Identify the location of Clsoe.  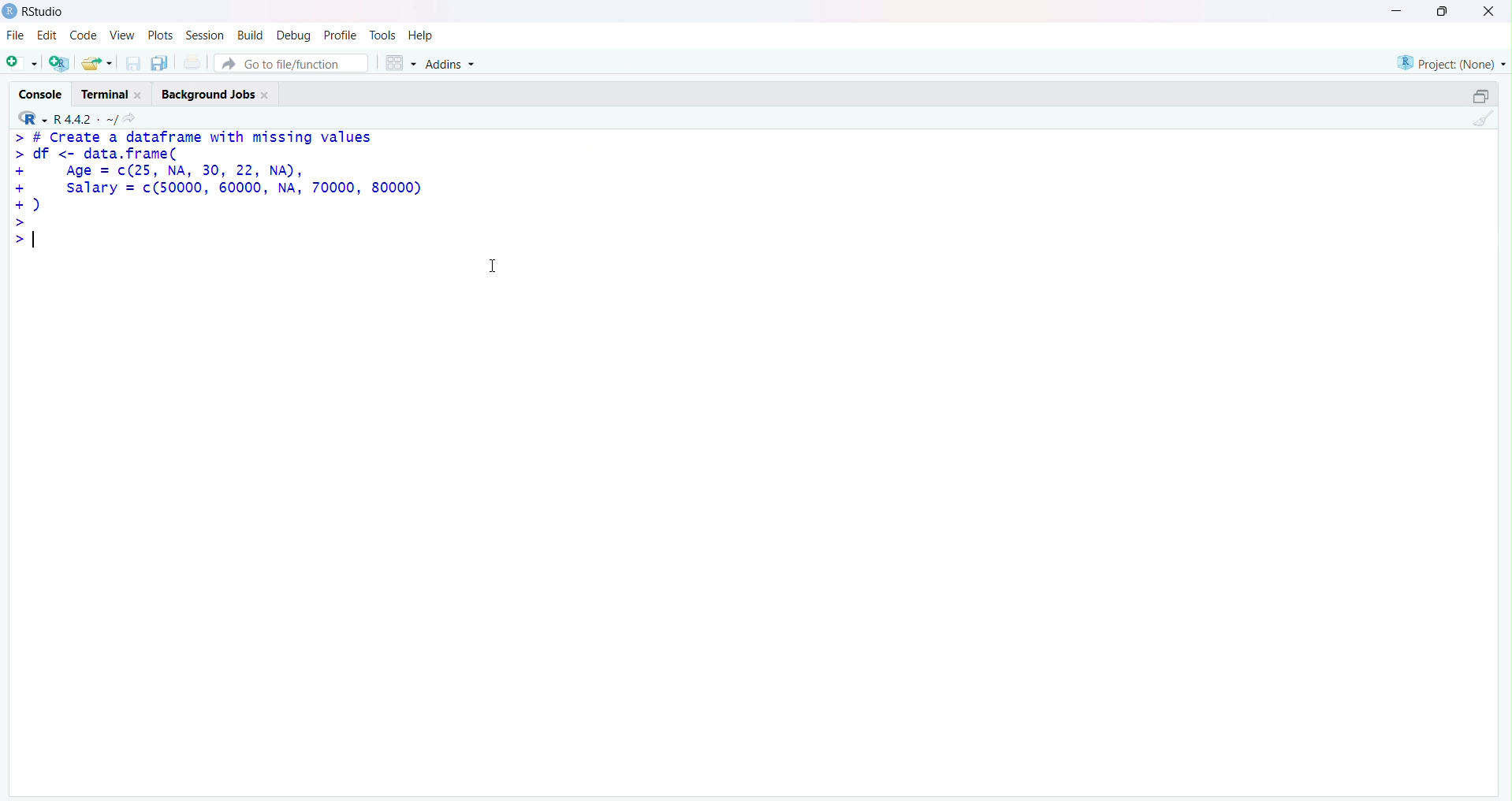
(1489, 12).